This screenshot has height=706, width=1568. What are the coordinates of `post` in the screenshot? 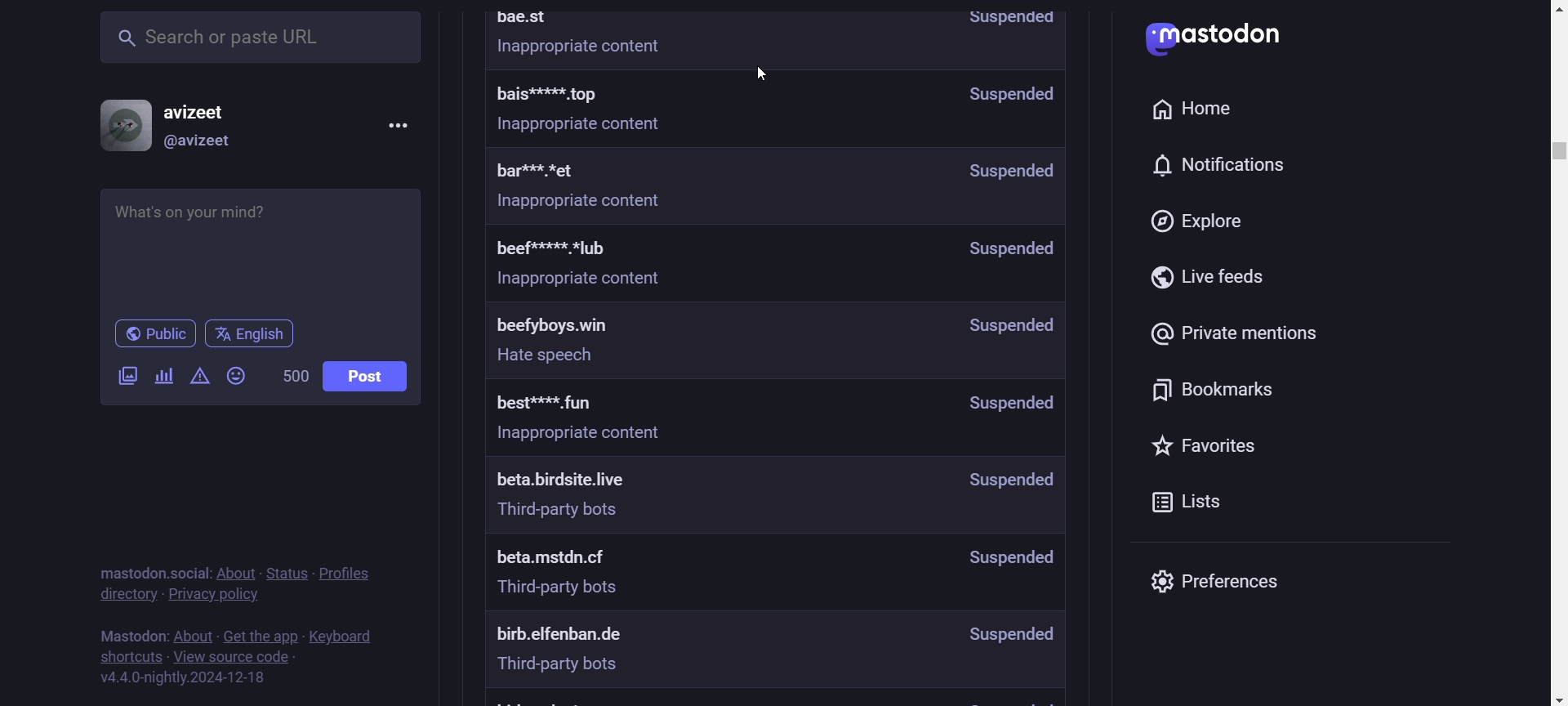 It's located at (364, 377).